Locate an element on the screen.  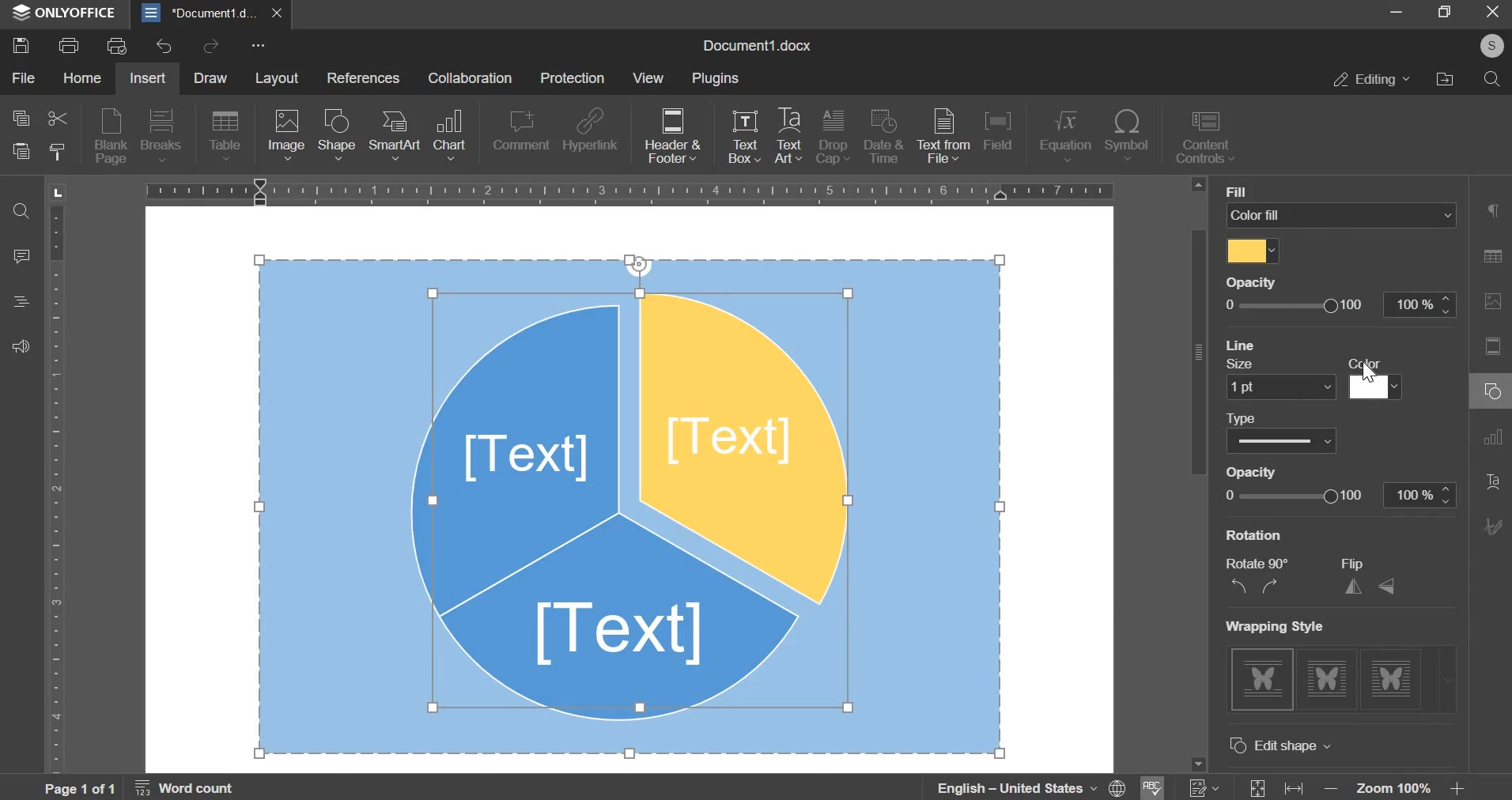
Restore is located at coordinates (1442, 13).